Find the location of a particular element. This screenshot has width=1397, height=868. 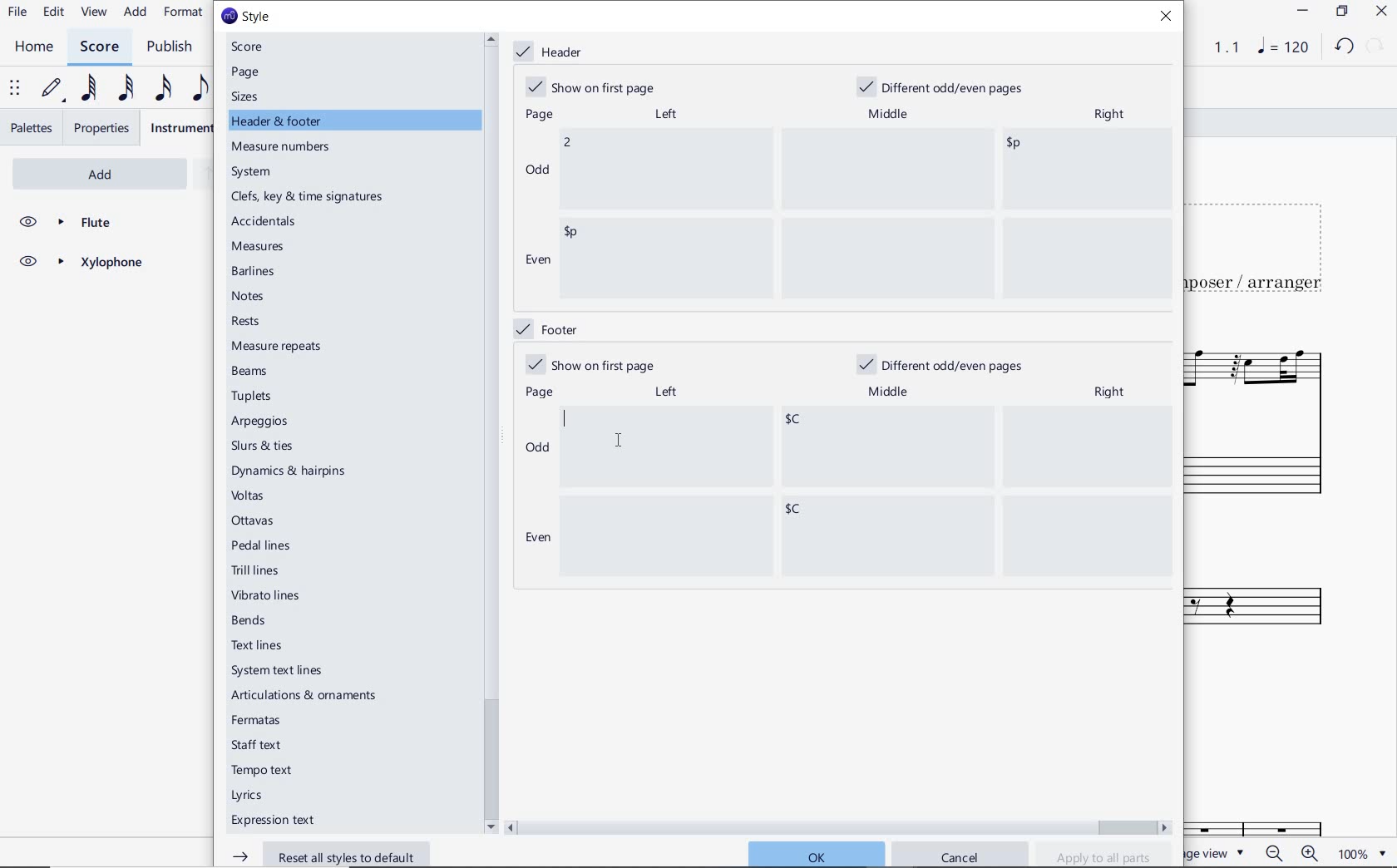

scrollbar is located at coordinates (489, 432).